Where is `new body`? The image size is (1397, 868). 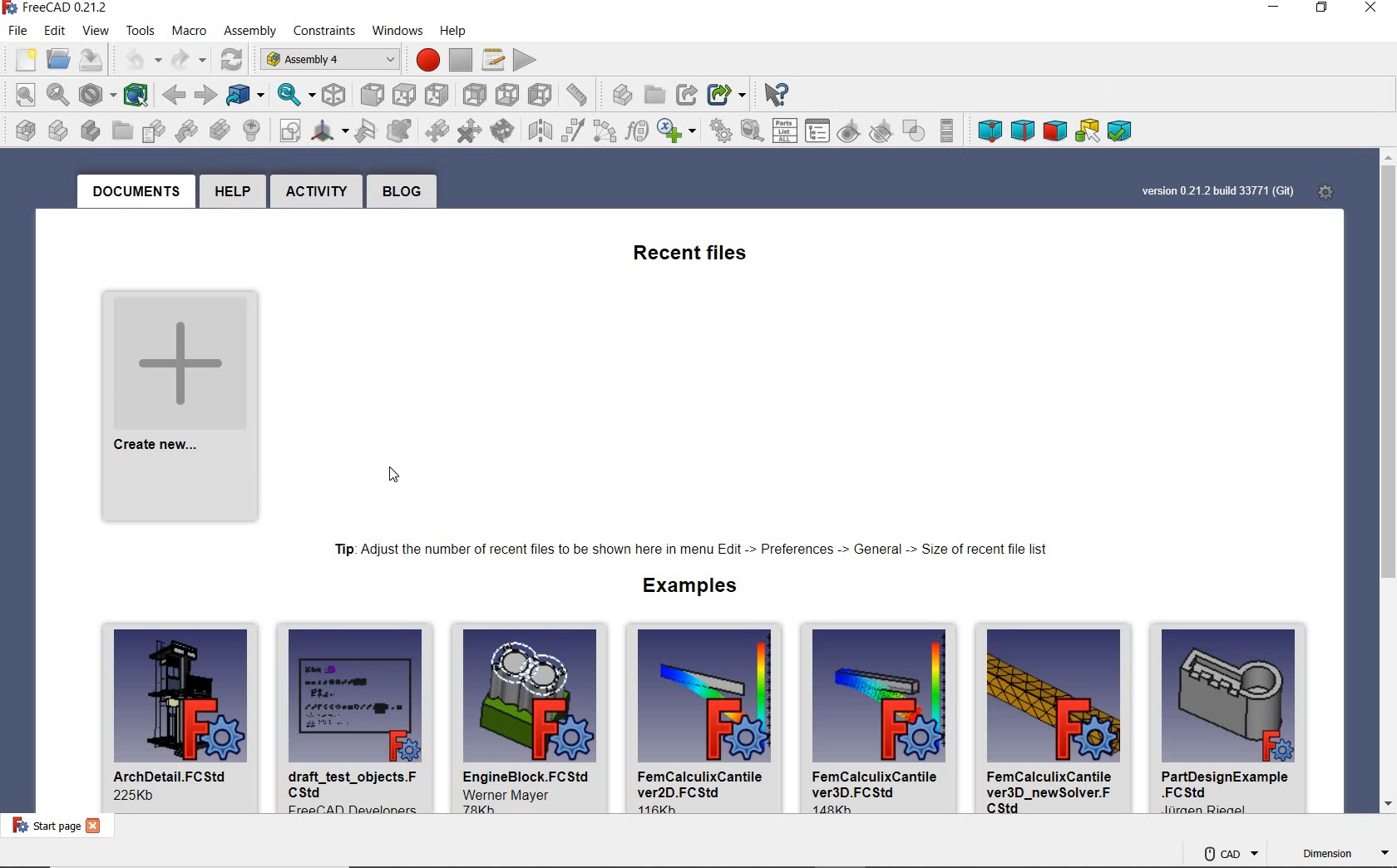 new body is located at coordinates (86, 129).